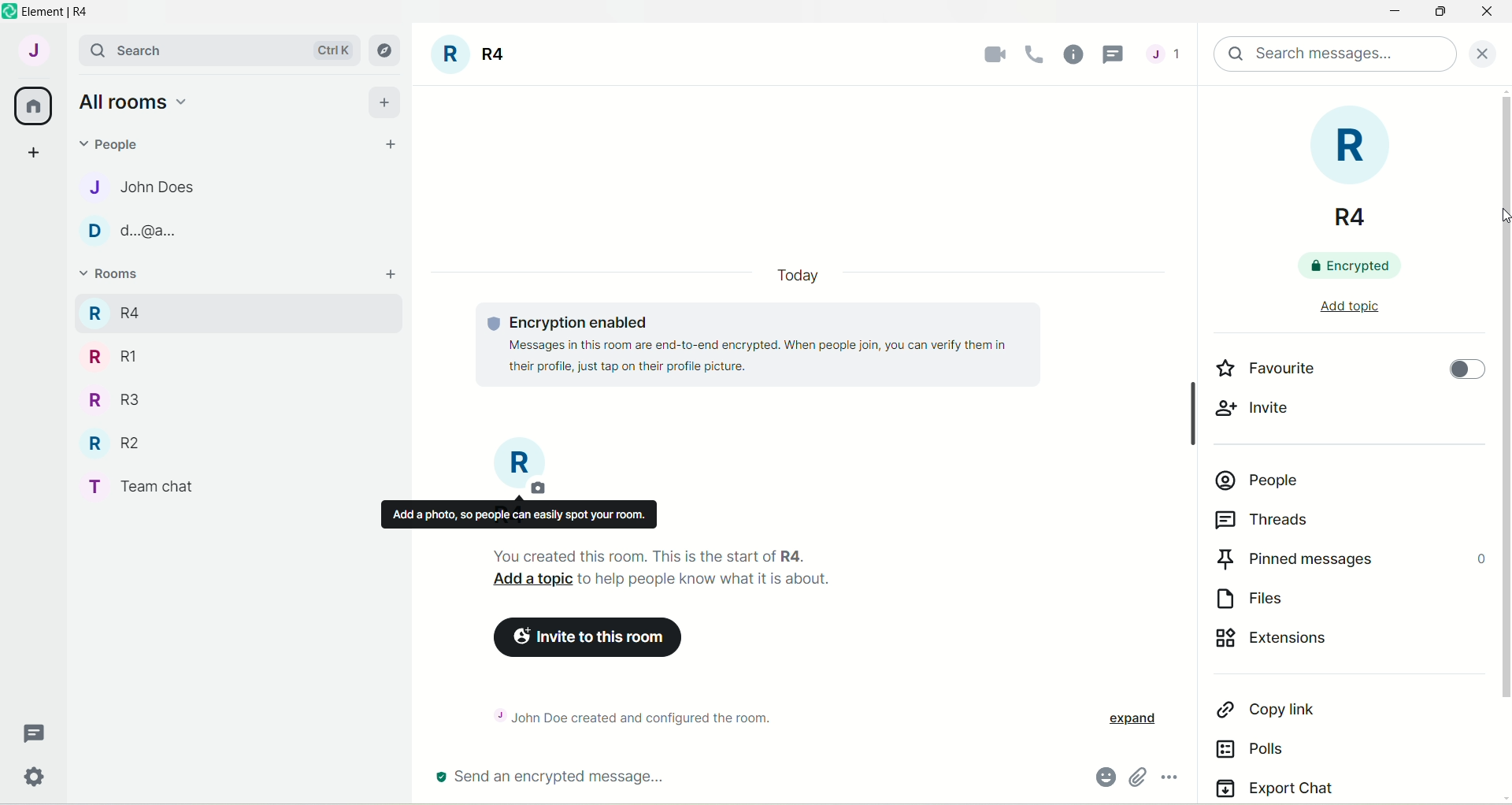  I want to click on room title, so click(471, 57).